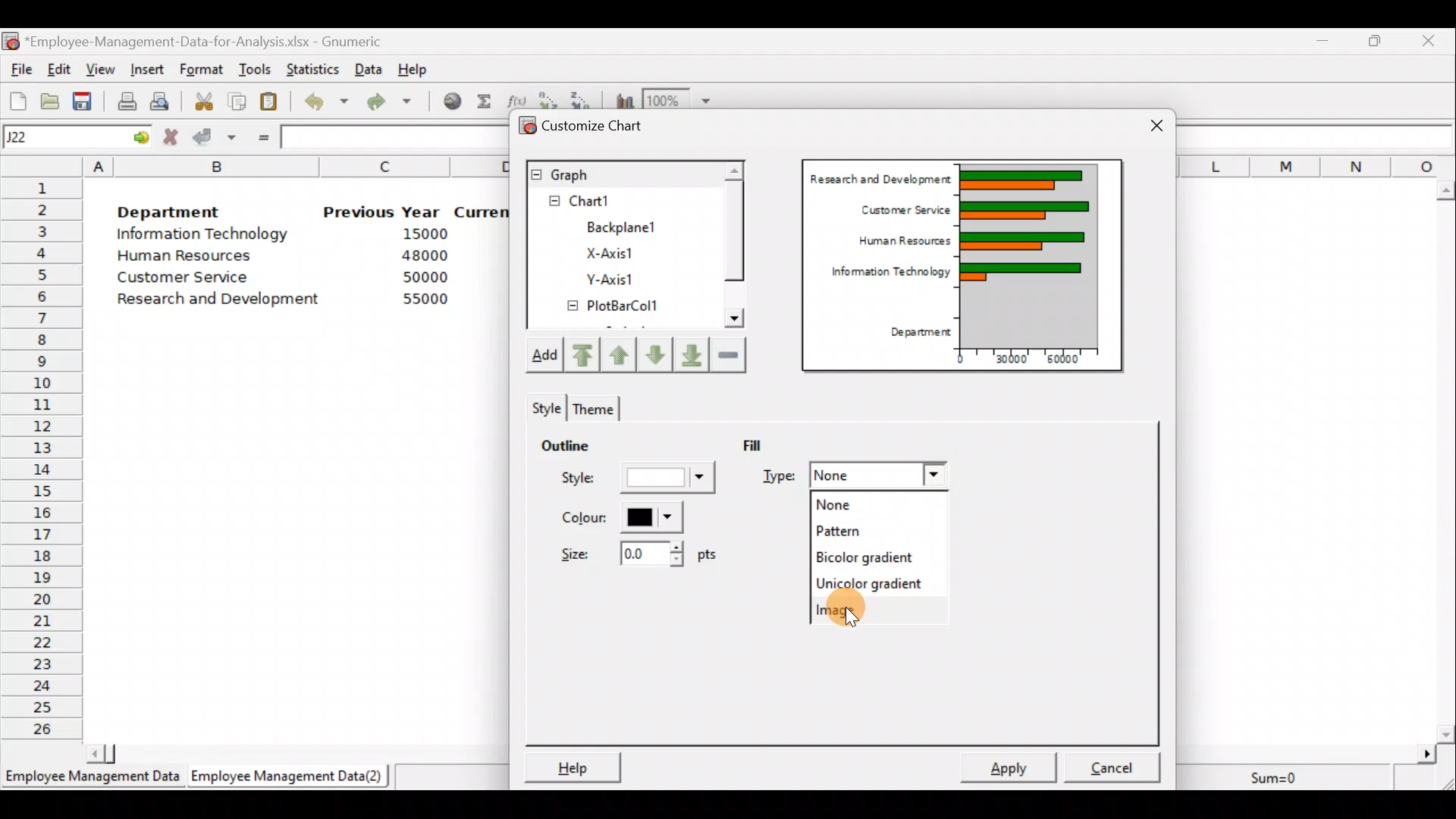 The width and height of the screenshot is (1456, 819). Describe the element at coordinates (613, 308) in the screenshot. I see `PlotBarCol1` at that location.